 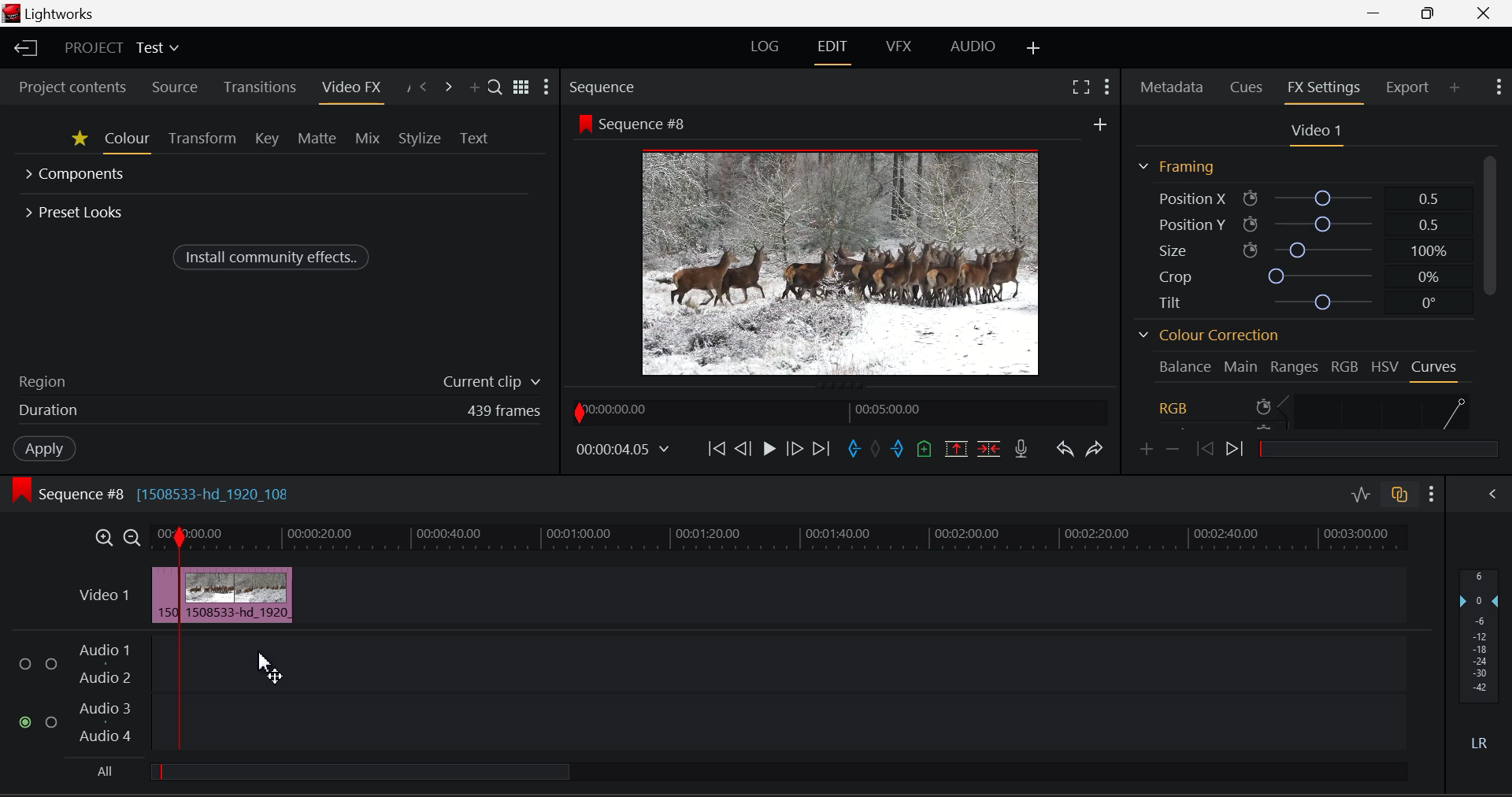 I want to click on Mix, so click(x=369, y=139).